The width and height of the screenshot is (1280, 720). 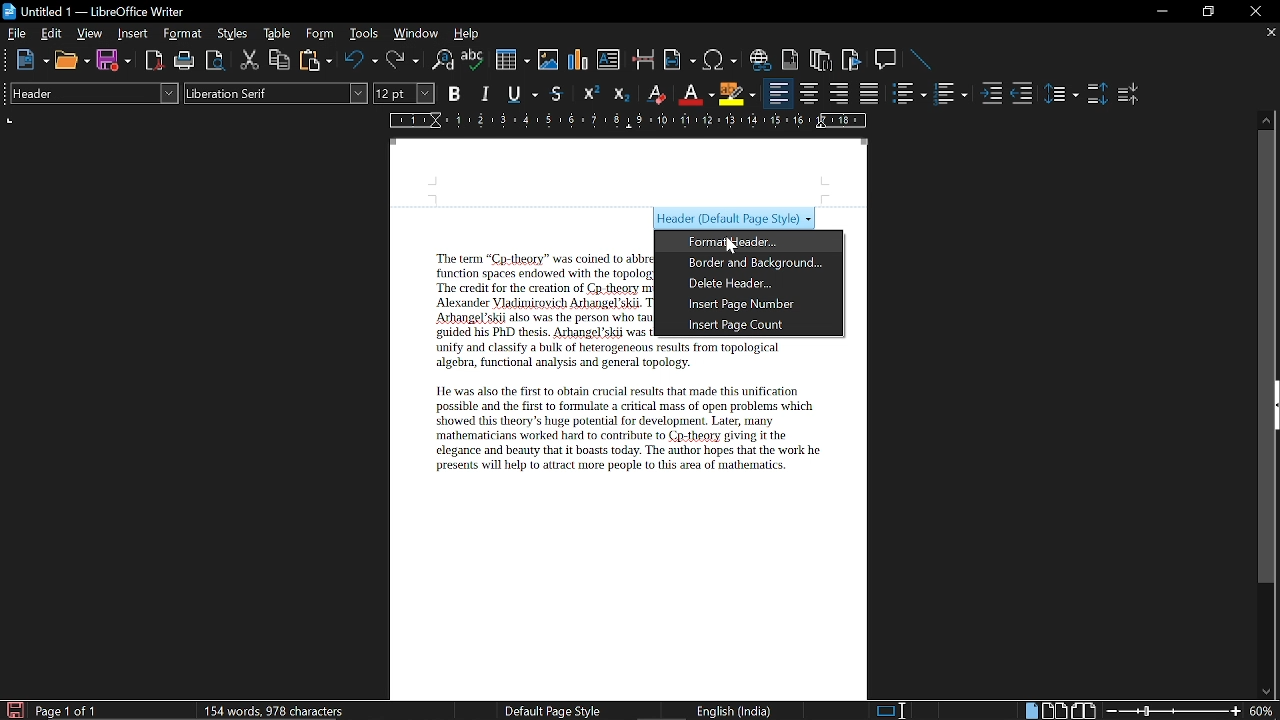 What do you see at coordinates (295, 710) in the screenshot?
I see `Word count` at bounding box center [295, 710].